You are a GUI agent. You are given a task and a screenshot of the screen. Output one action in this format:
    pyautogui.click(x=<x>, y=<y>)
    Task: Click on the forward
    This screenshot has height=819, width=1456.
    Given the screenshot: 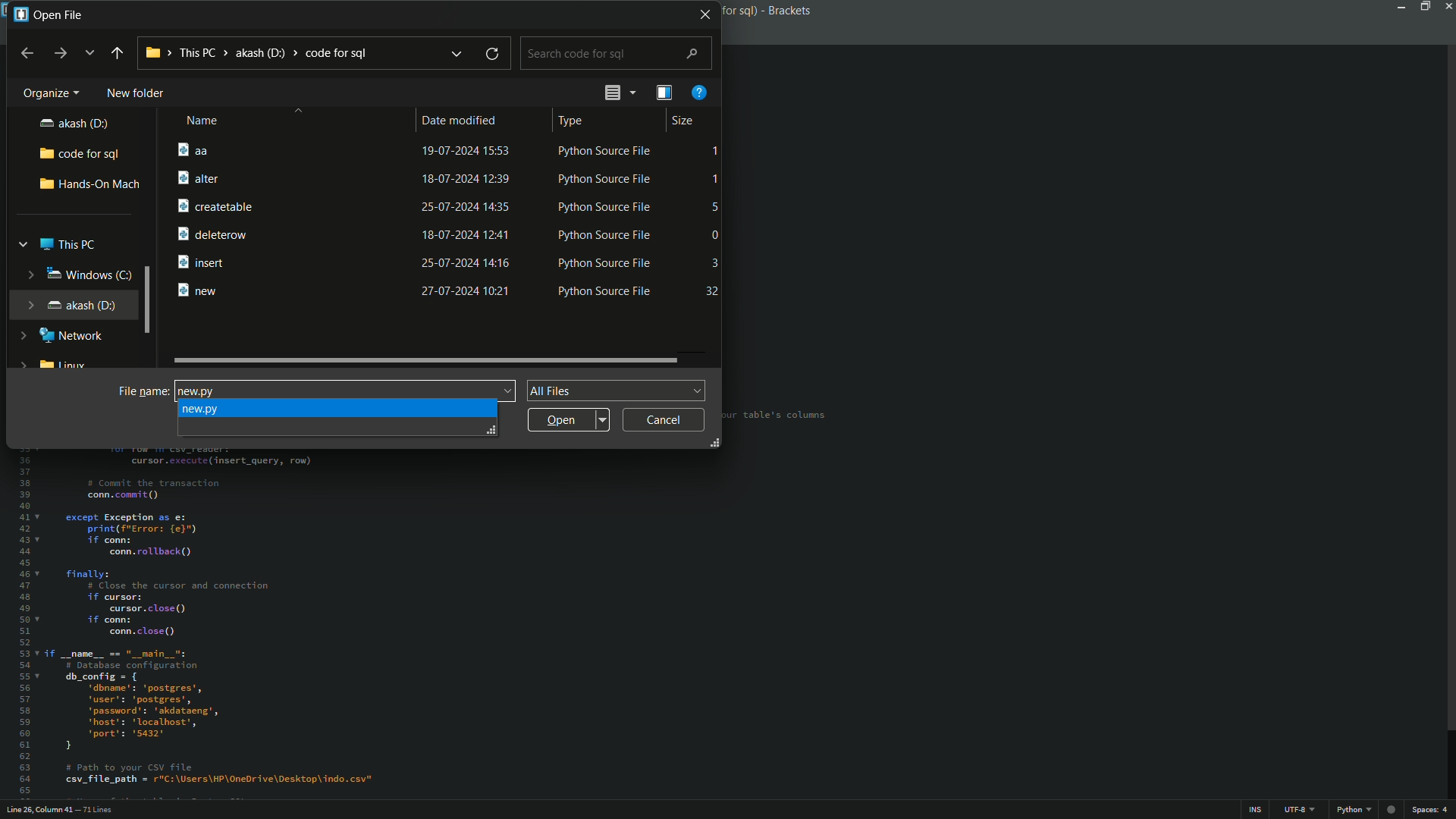 What is the action you would take?
    pyautogui.click(x=58, y=54)
    